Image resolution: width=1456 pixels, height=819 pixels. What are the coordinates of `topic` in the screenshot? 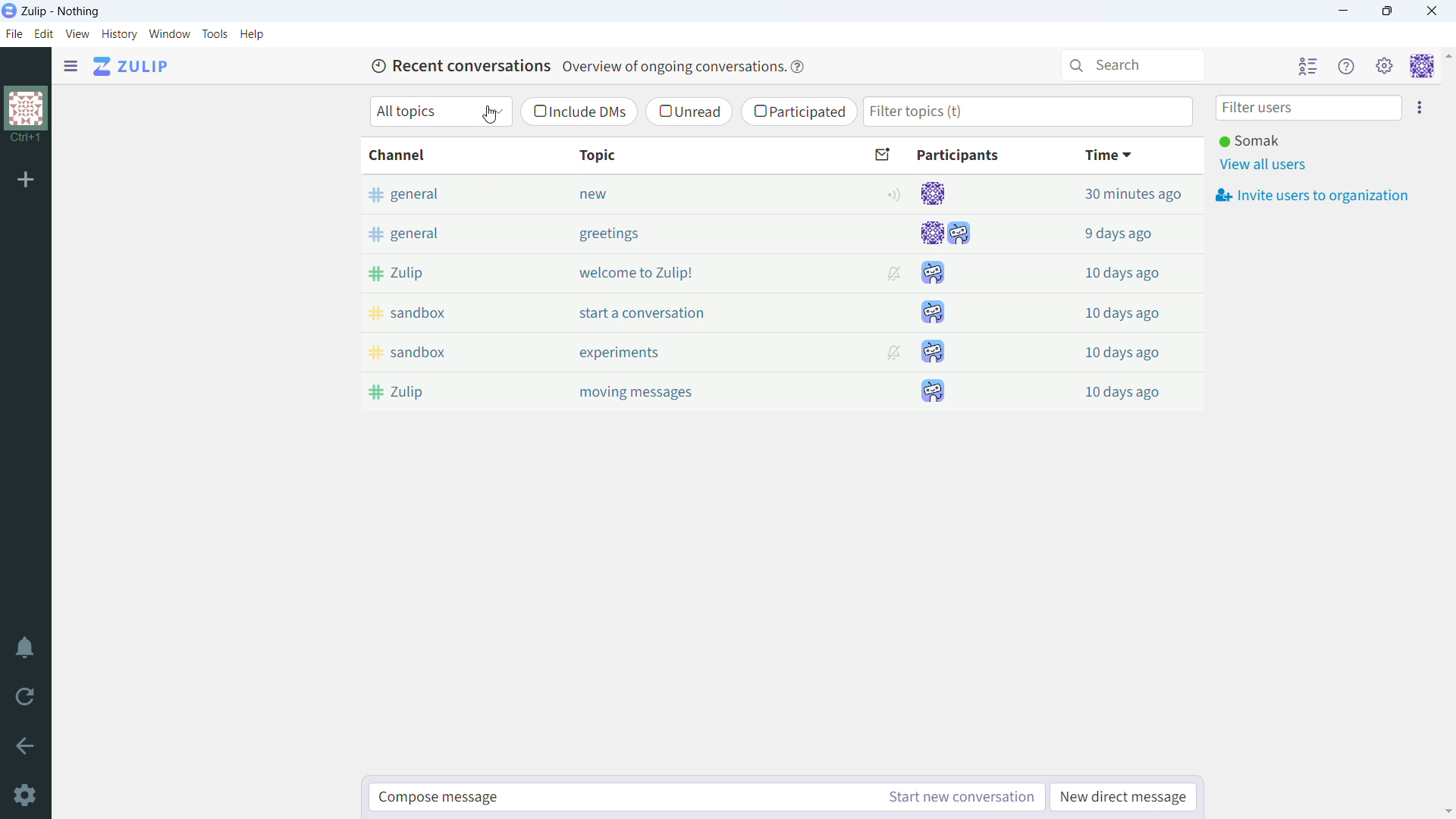 It's located at (677, 155).